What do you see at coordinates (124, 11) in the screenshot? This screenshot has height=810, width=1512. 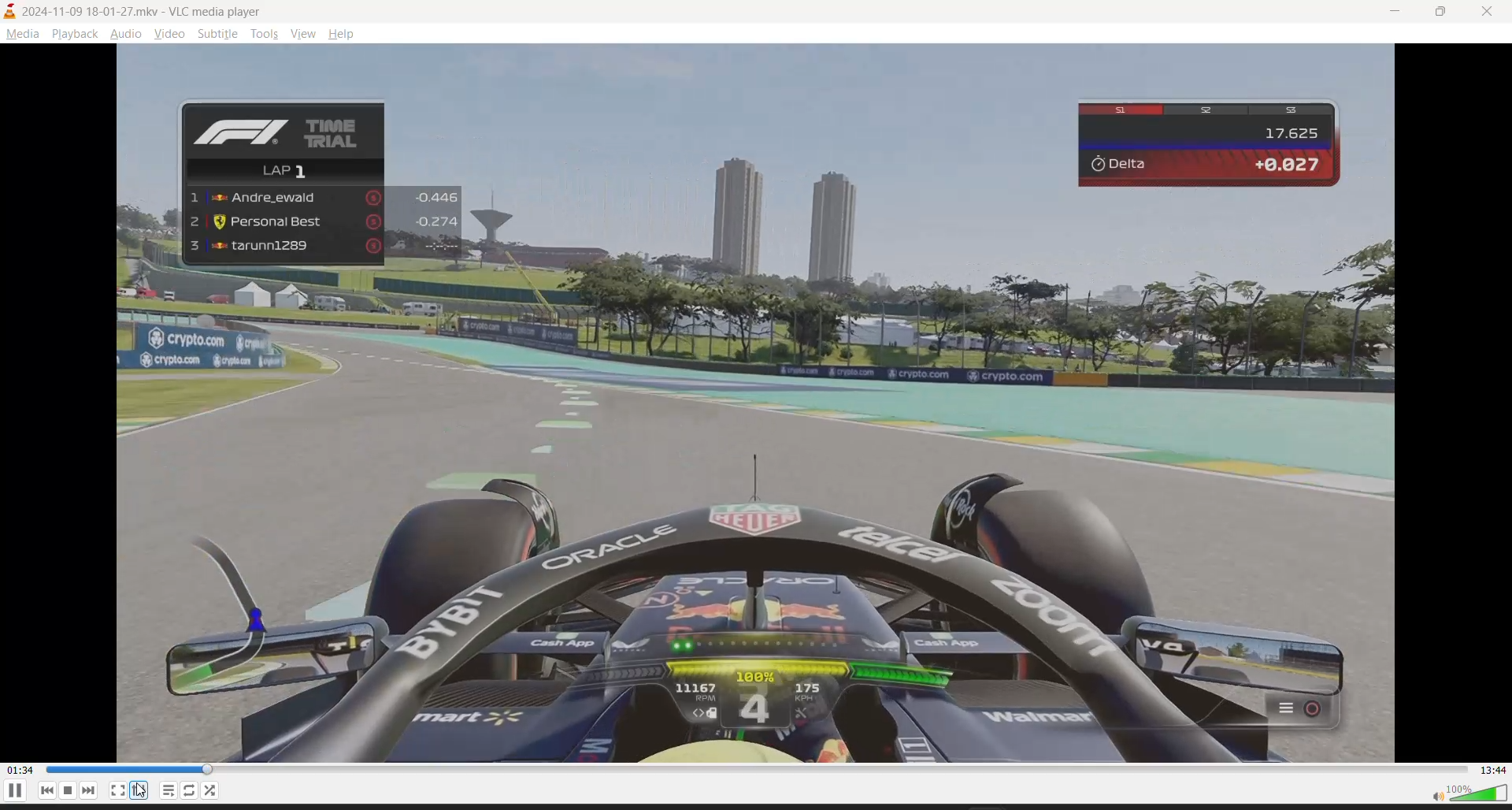 I see `2024-11-09 18-01-27.mkv - VLC media player` at bounding box center [124, 11].